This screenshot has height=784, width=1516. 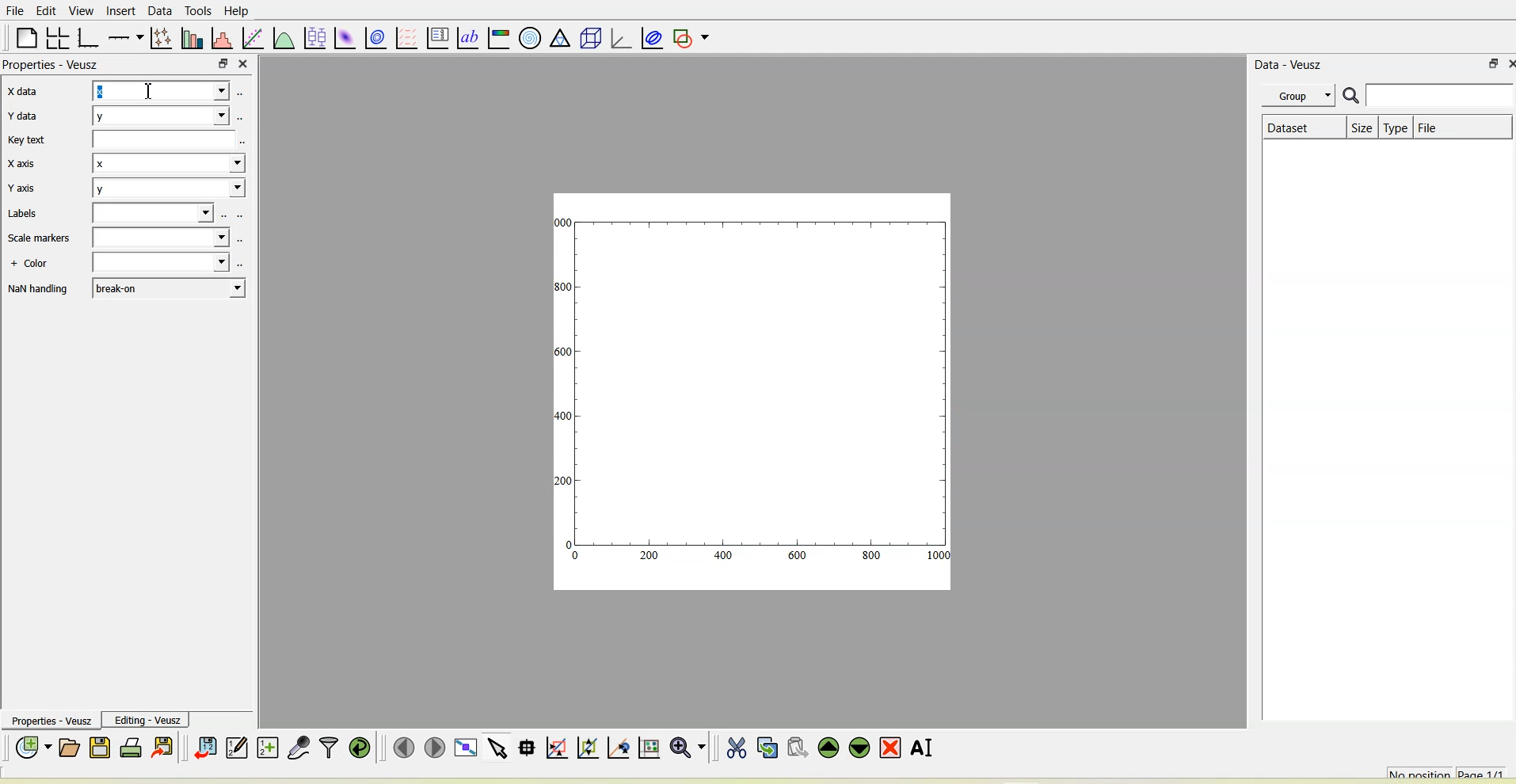 What do you see at coordinates (467, 37) in the screenshot?
I see `text label` at bounding box center [467, 37].